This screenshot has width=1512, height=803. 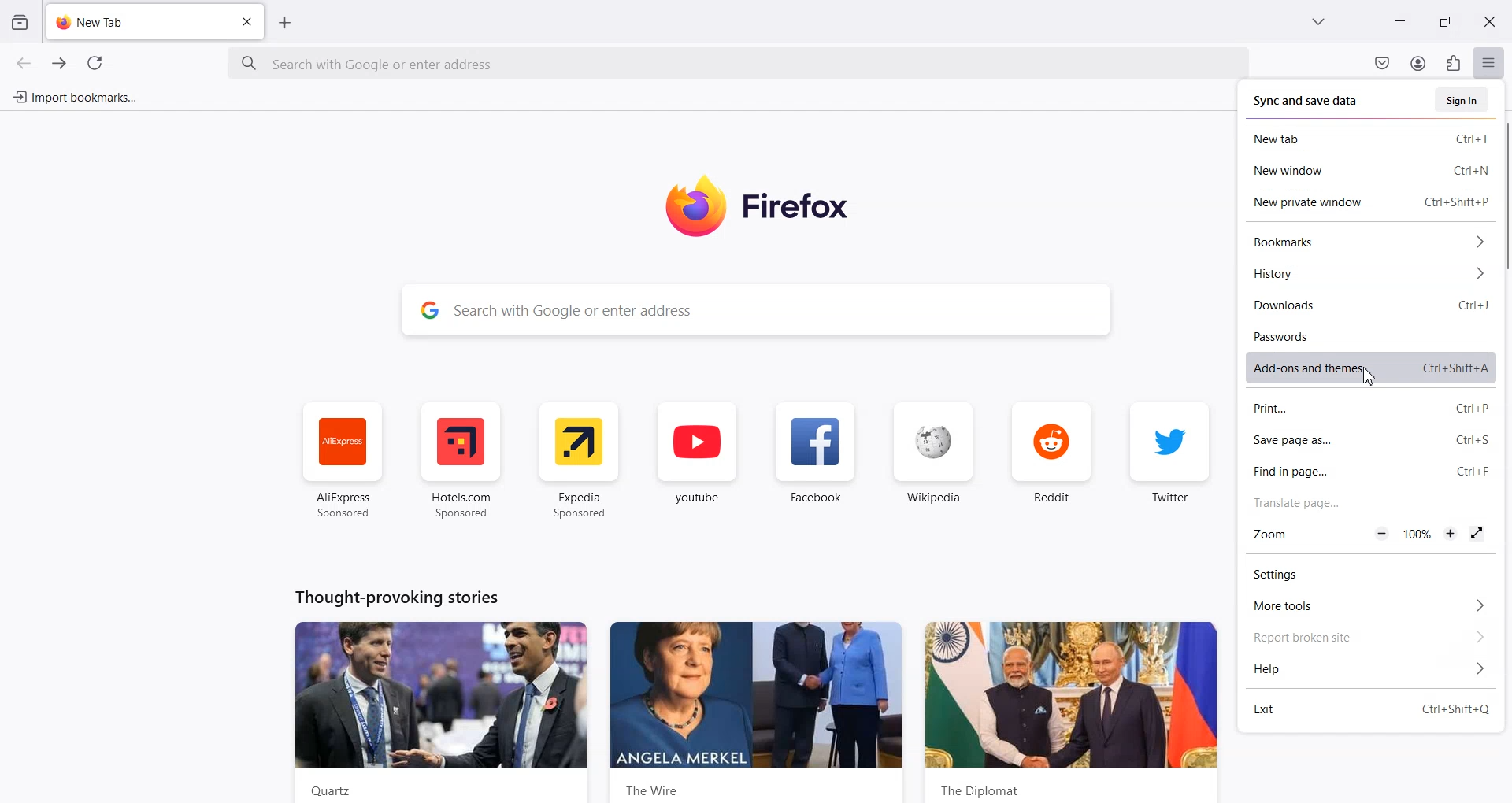 I want to click on Expedia Sponsored, so click(x=580, y=460).